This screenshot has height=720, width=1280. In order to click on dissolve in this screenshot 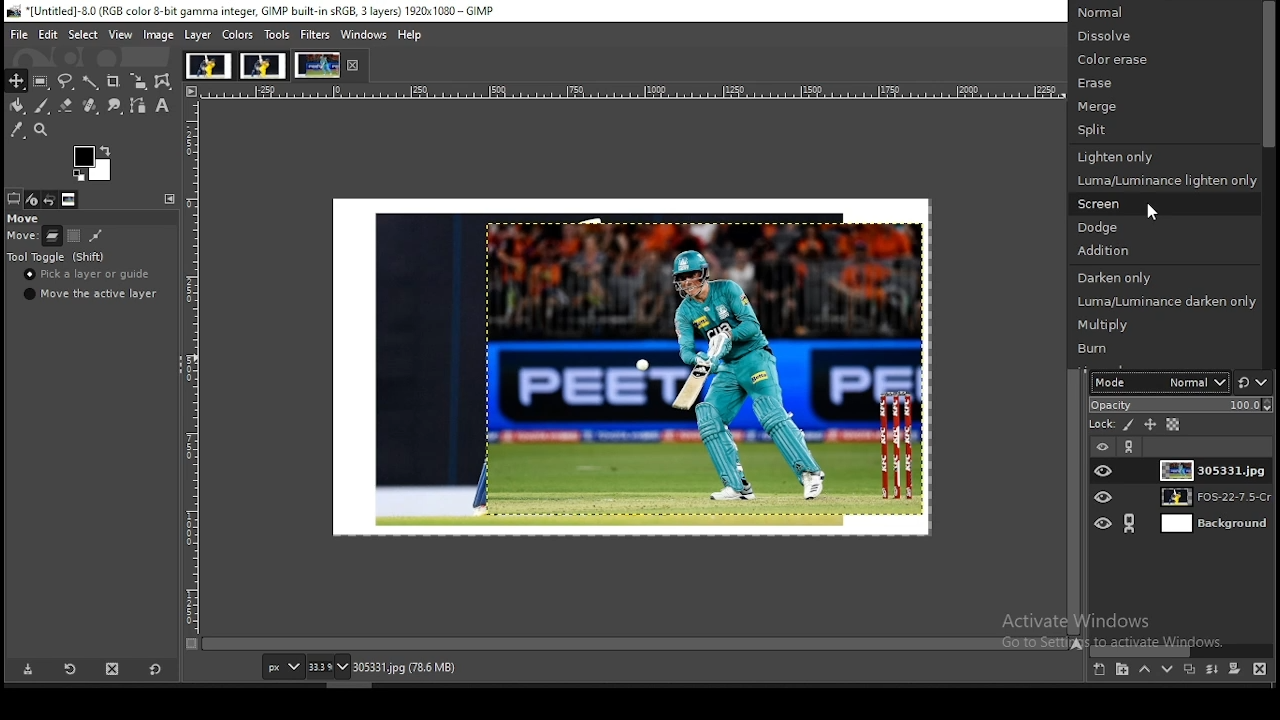, I will do `click(1165, 38)`.